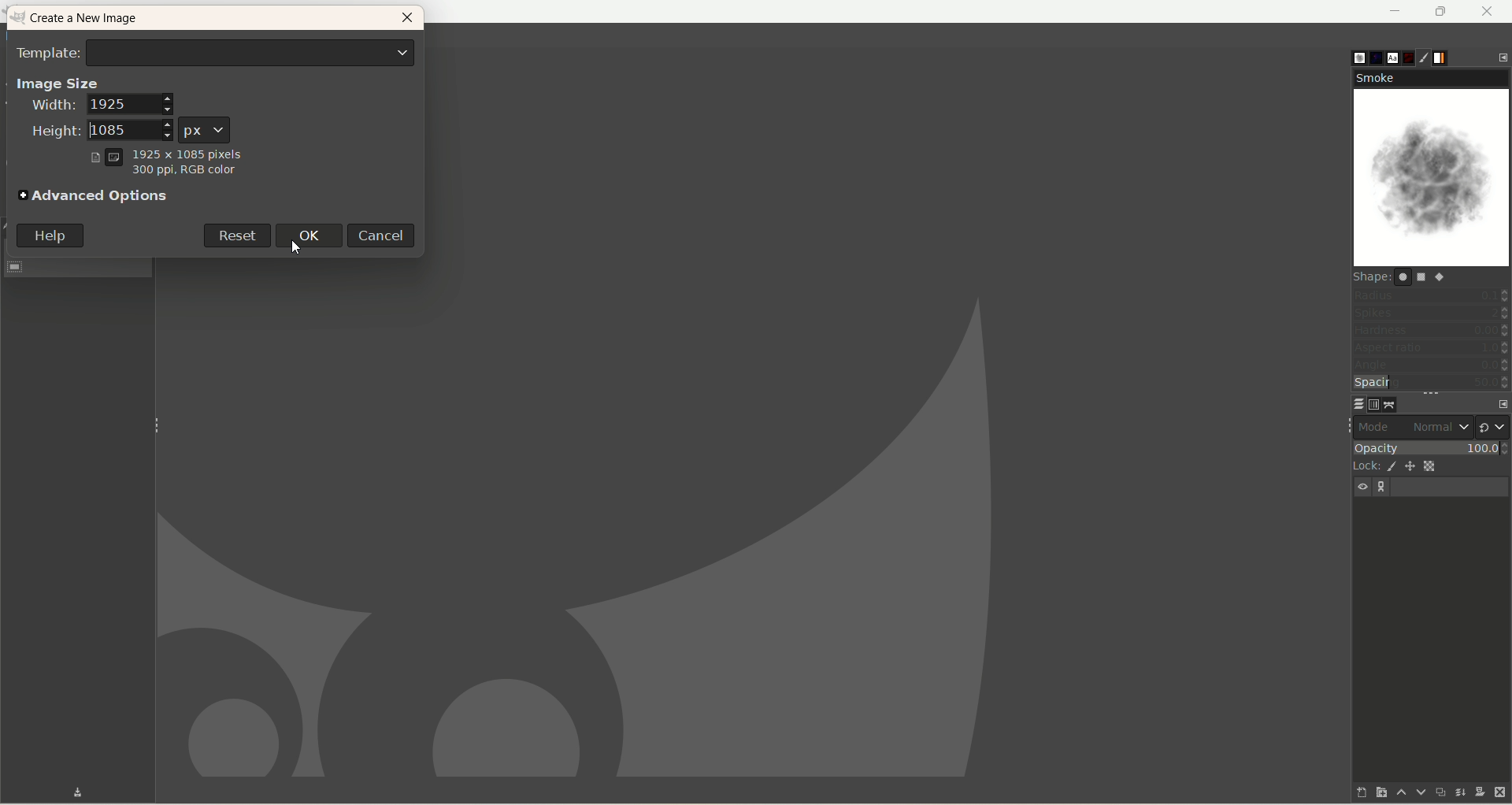 Image resolution: width=1512 pixels, height=805 pixels. I want to click on advanced options, so click(95, 197).